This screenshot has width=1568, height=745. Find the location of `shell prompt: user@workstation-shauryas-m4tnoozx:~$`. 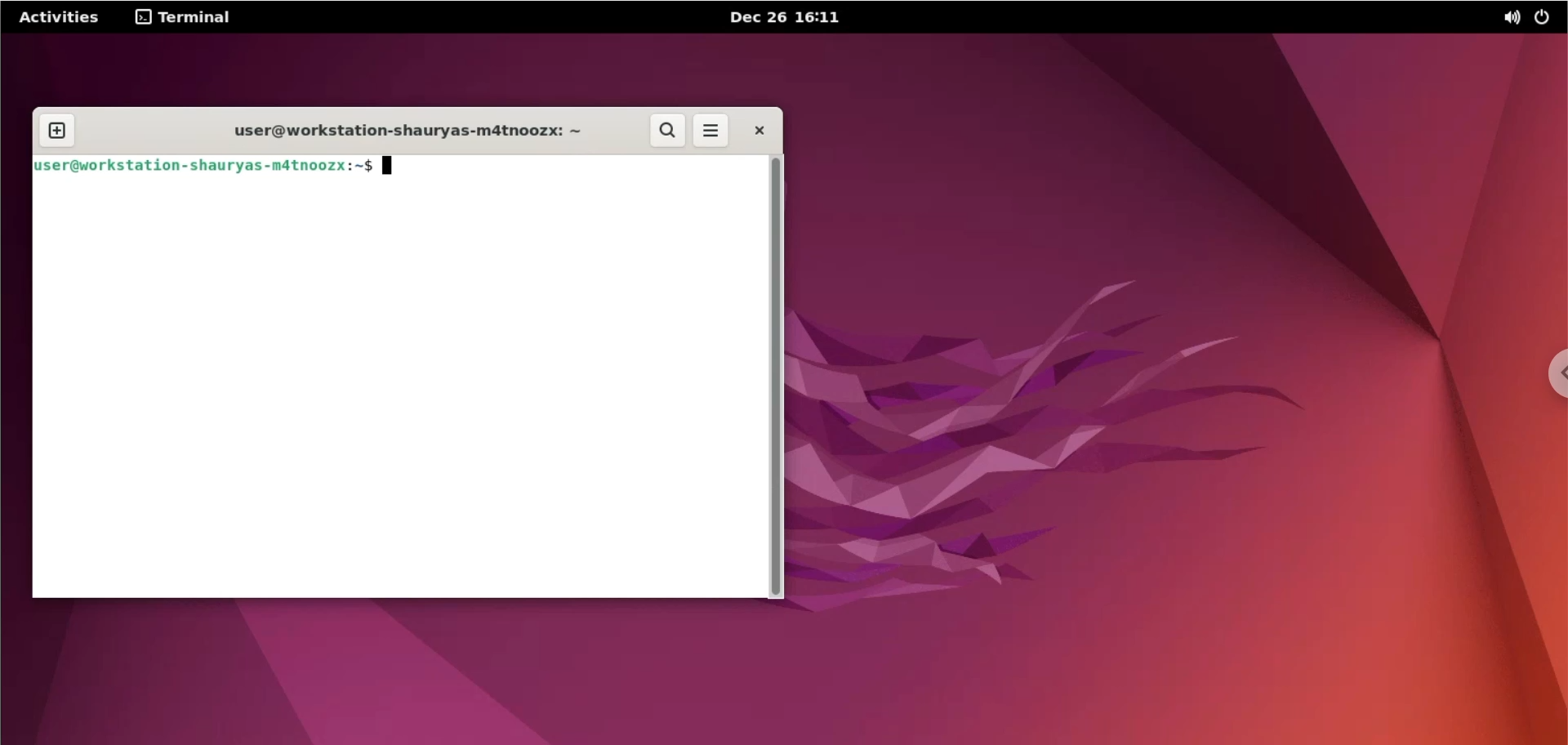

shell prompt: user@workstation-shauryas-m4tnoozx:~$ is located at coordinates (205, 167).